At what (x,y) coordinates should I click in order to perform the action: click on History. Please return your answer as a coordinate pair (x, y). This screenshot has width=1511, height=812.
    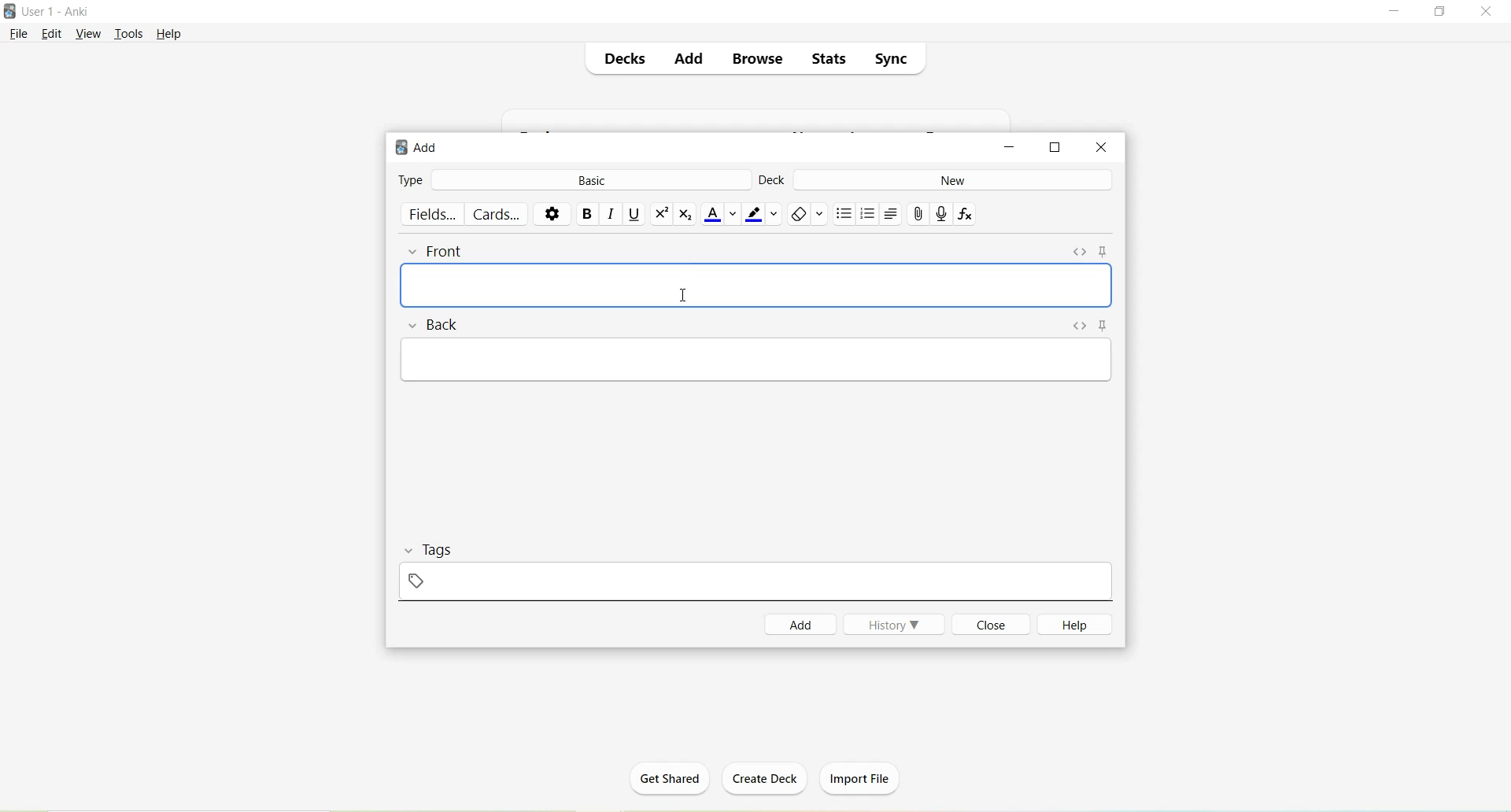
    Looking at the image, I should click on (894, 624).